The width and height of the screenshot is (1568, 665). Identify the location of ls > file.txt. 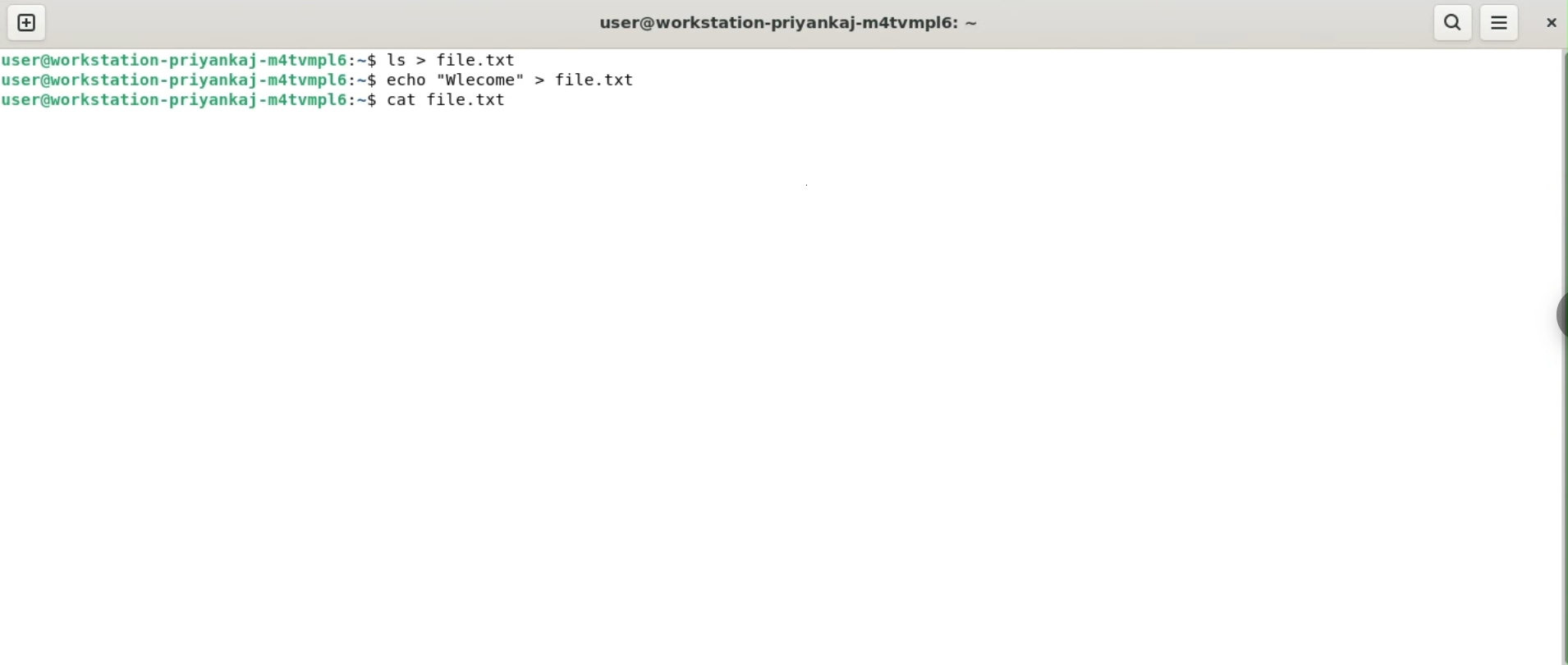
(462, 59).